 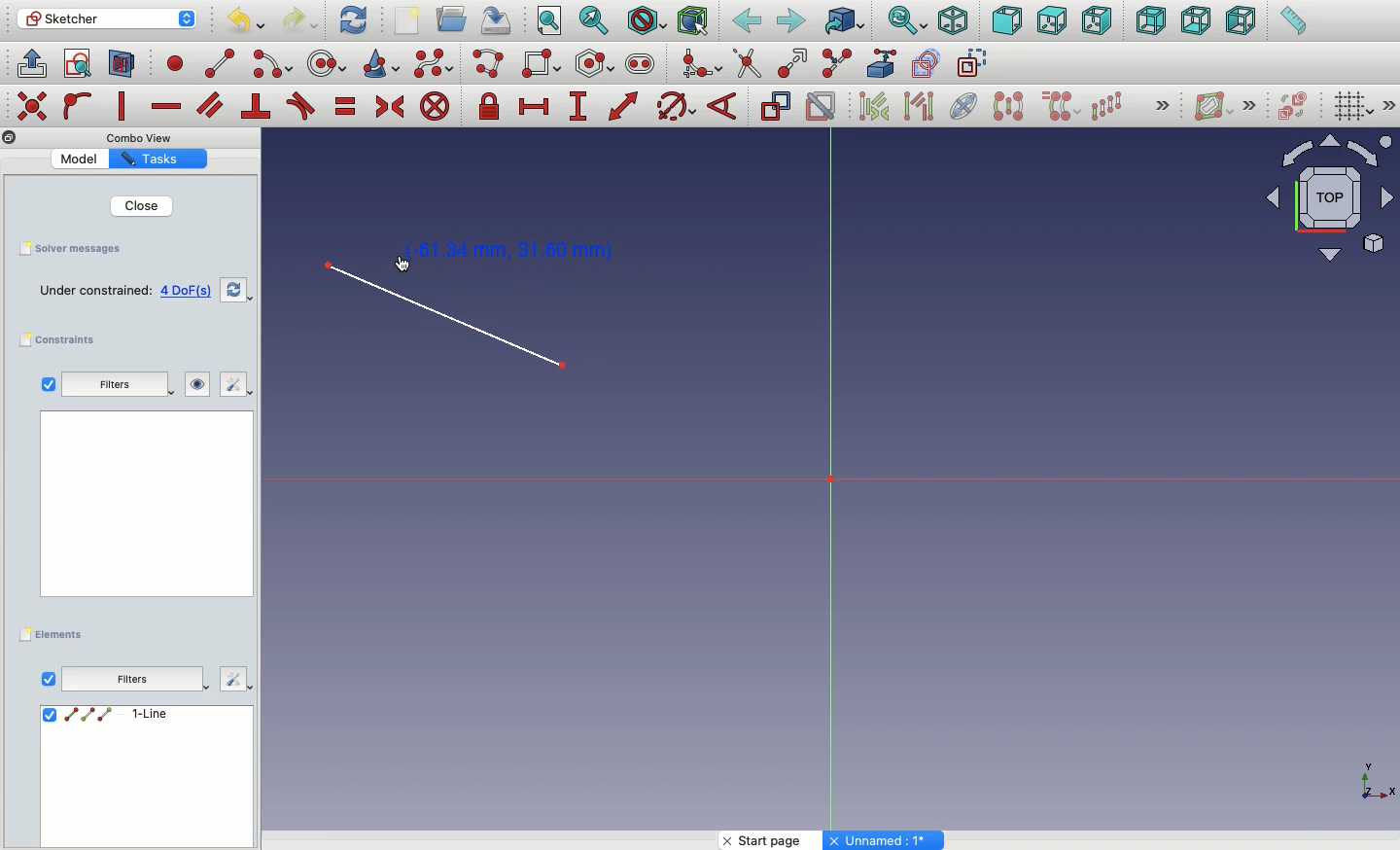 What do you see at coordinates (435, 108) in the screenshot?
I see `Constrain block` at bounding box center [435, 108].